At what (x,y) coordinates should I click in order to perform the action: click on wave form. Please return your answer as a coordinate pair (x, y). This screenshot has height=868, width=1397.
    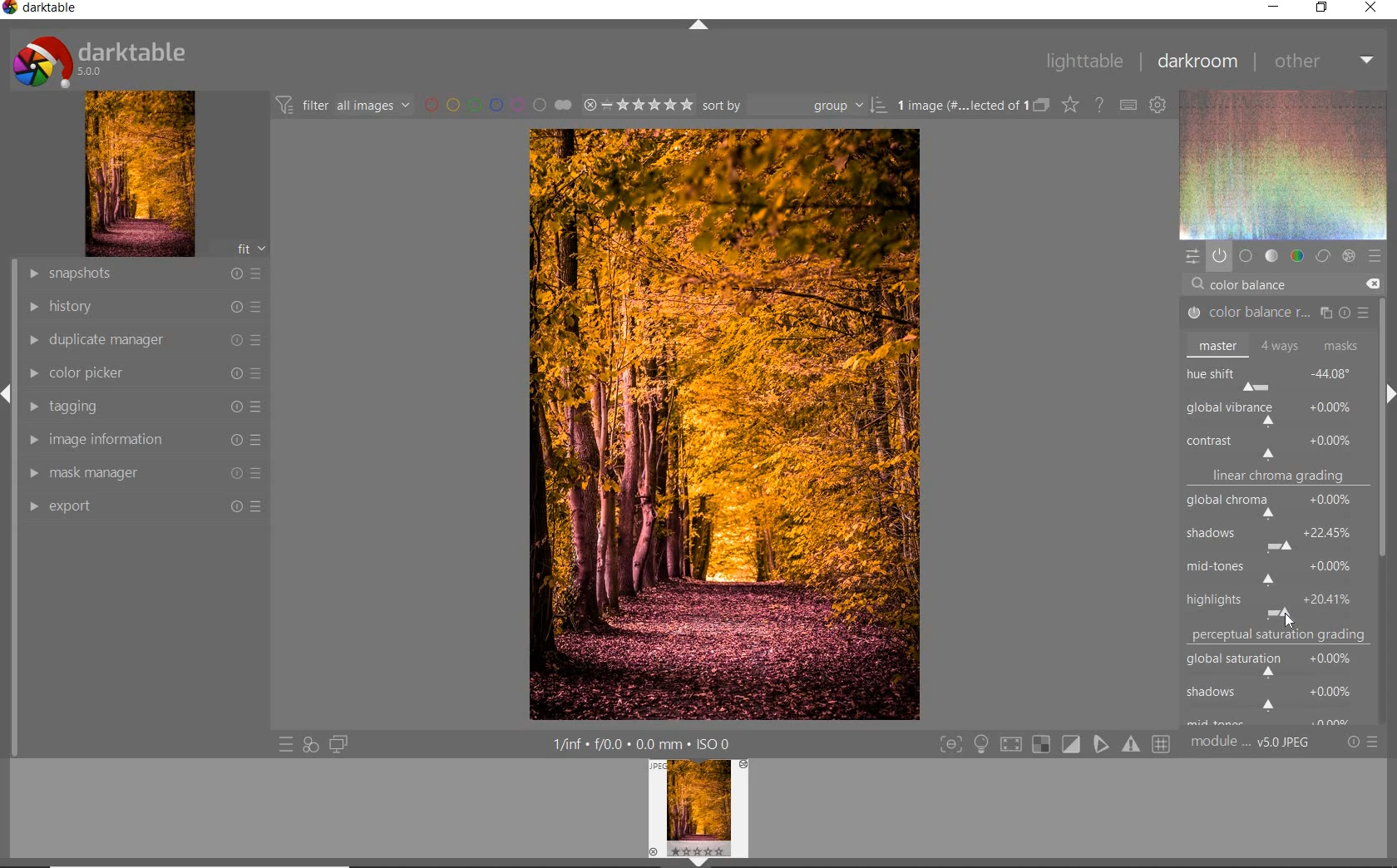
    Looking at the image, I should click on (1282, 165).